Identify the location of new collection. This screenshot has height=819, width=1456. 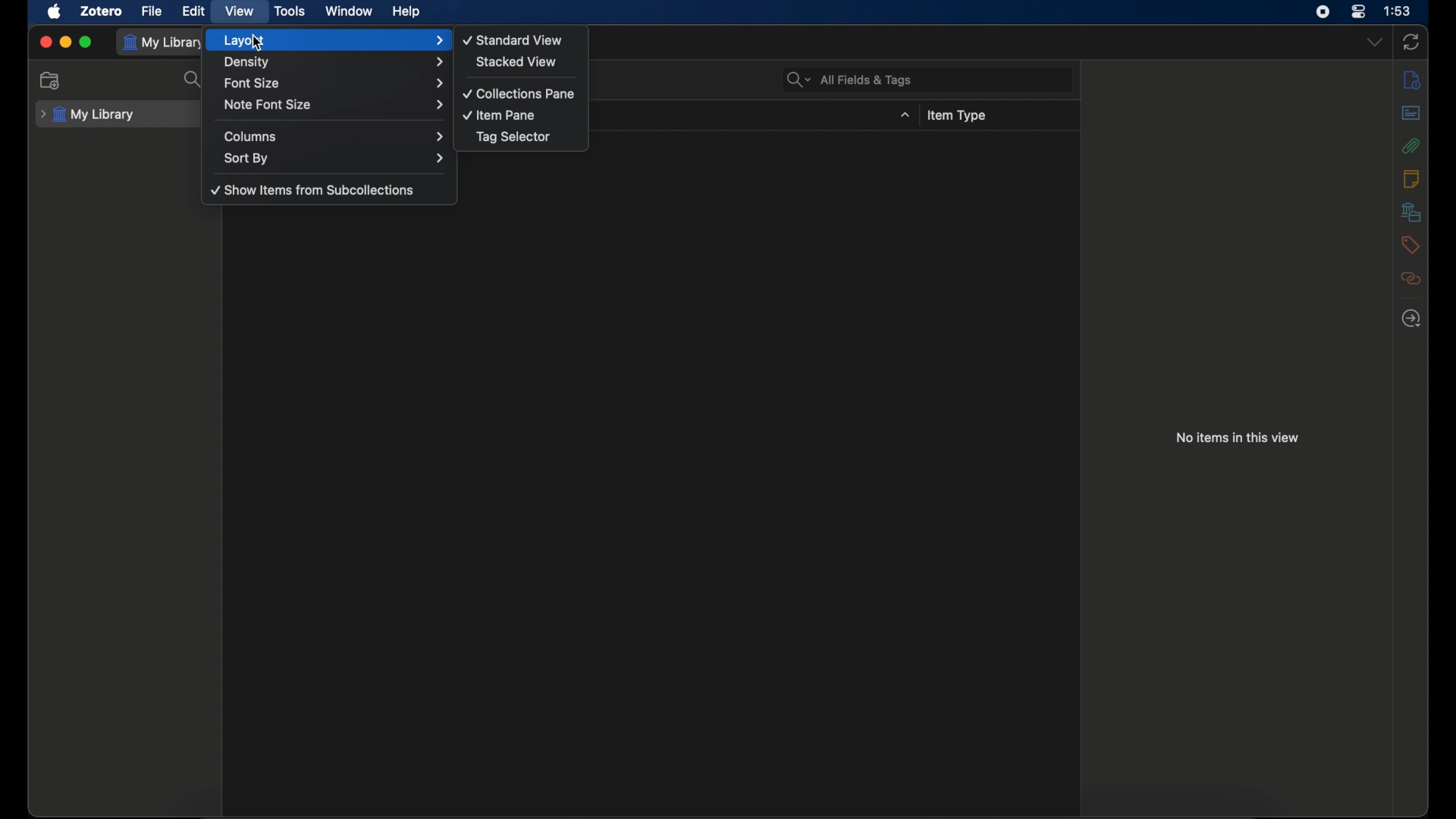
(51, 81).